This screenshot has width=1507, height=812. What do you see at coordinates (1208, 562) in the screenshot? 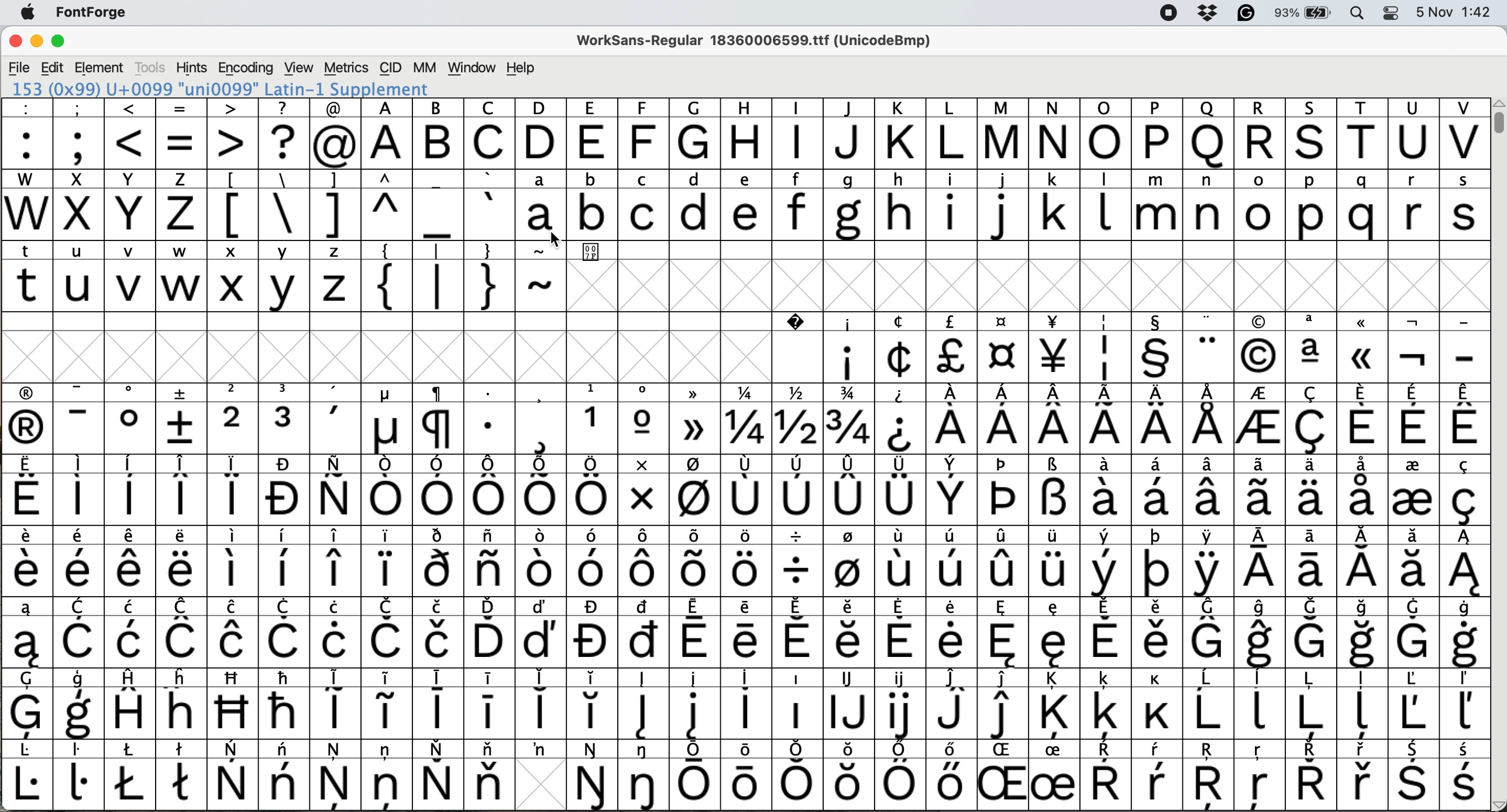
I see `symbol` at bounding box center [1208, 562].